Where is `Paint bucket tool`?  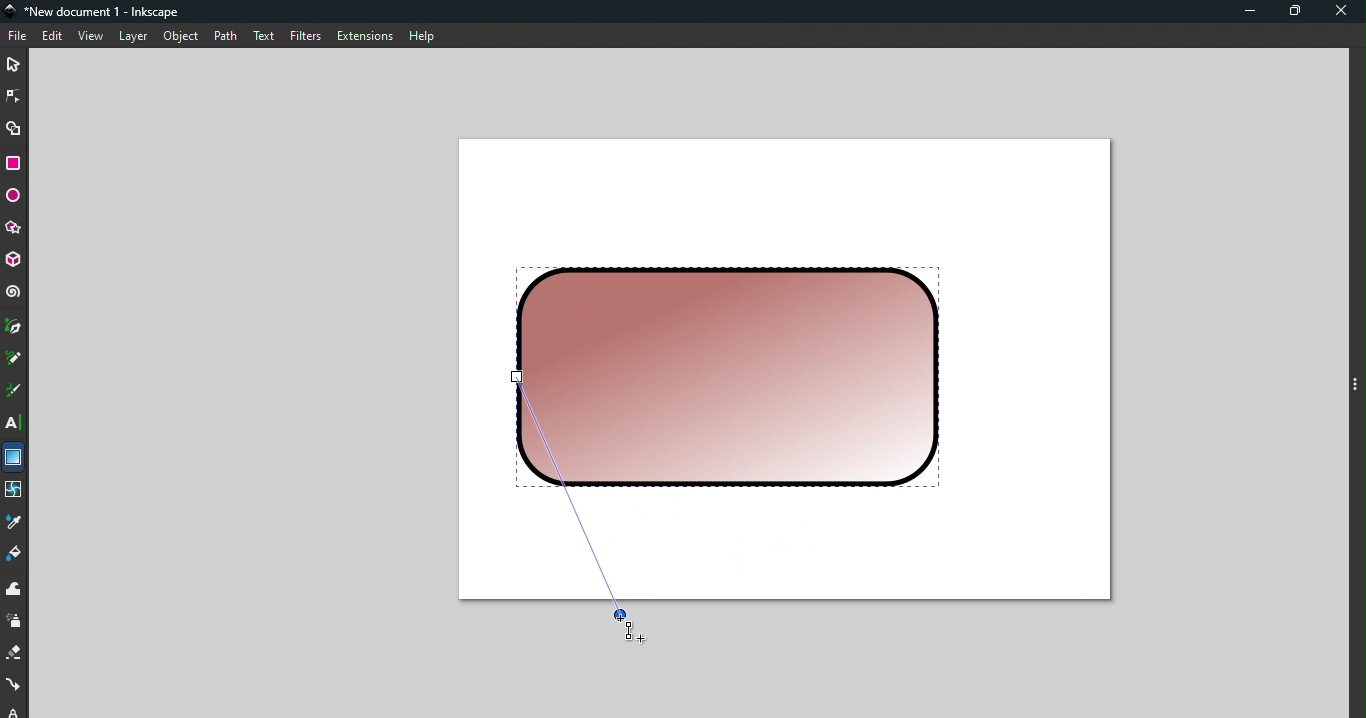 Paint bucket tool is located at coordinates (18, 557).